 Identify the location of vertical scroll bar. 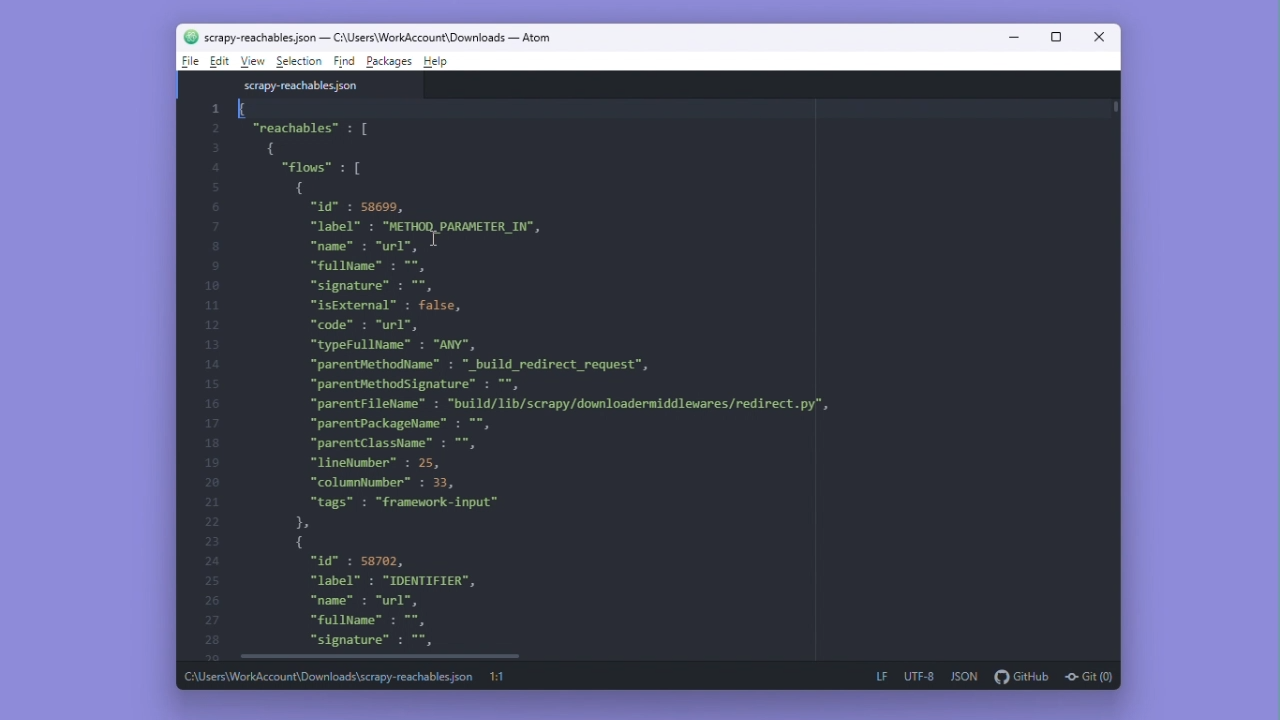
(1118, 108).